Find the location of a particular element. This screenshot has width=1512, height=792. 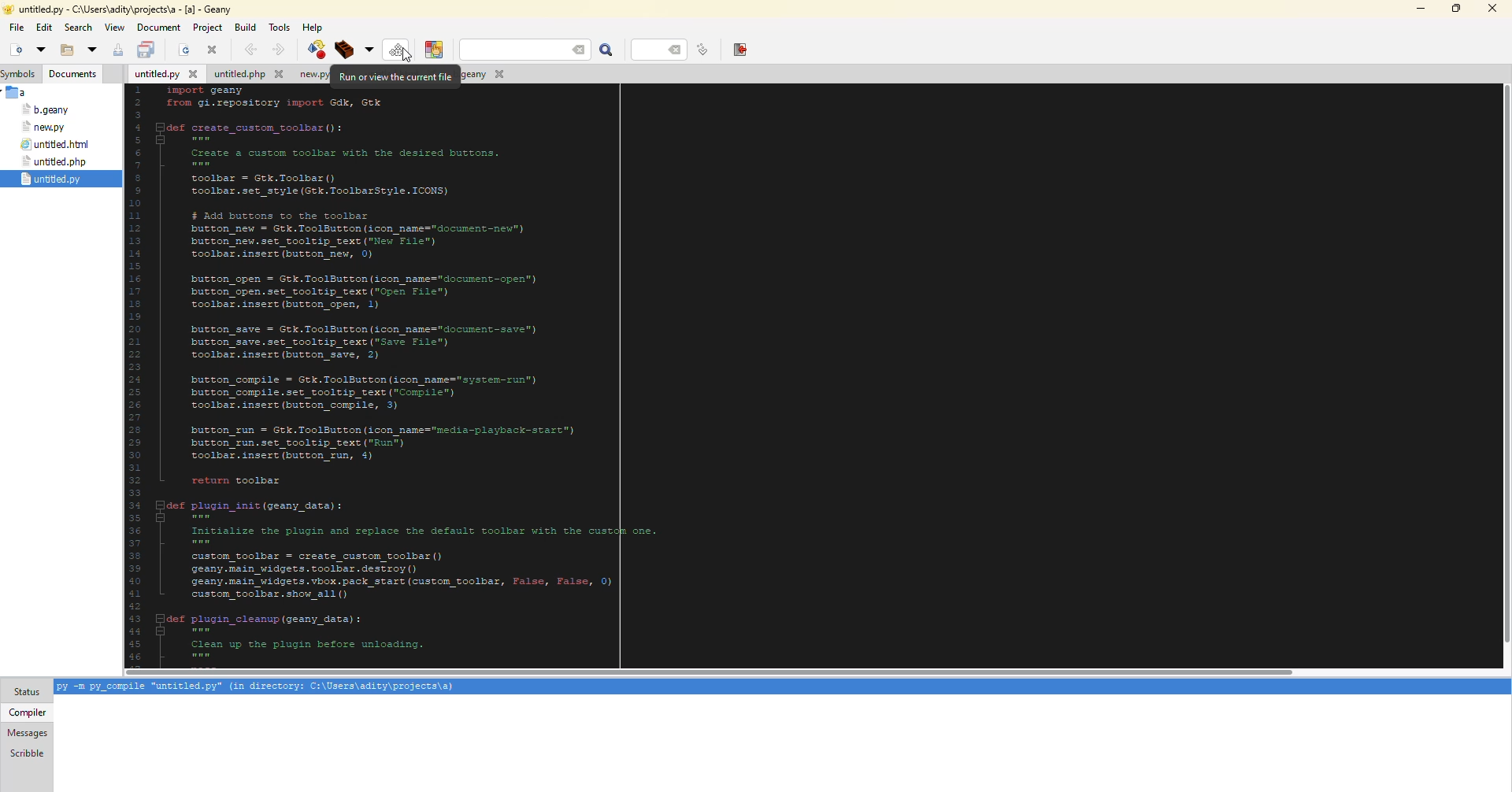

build is located at coordinates (245, 28).